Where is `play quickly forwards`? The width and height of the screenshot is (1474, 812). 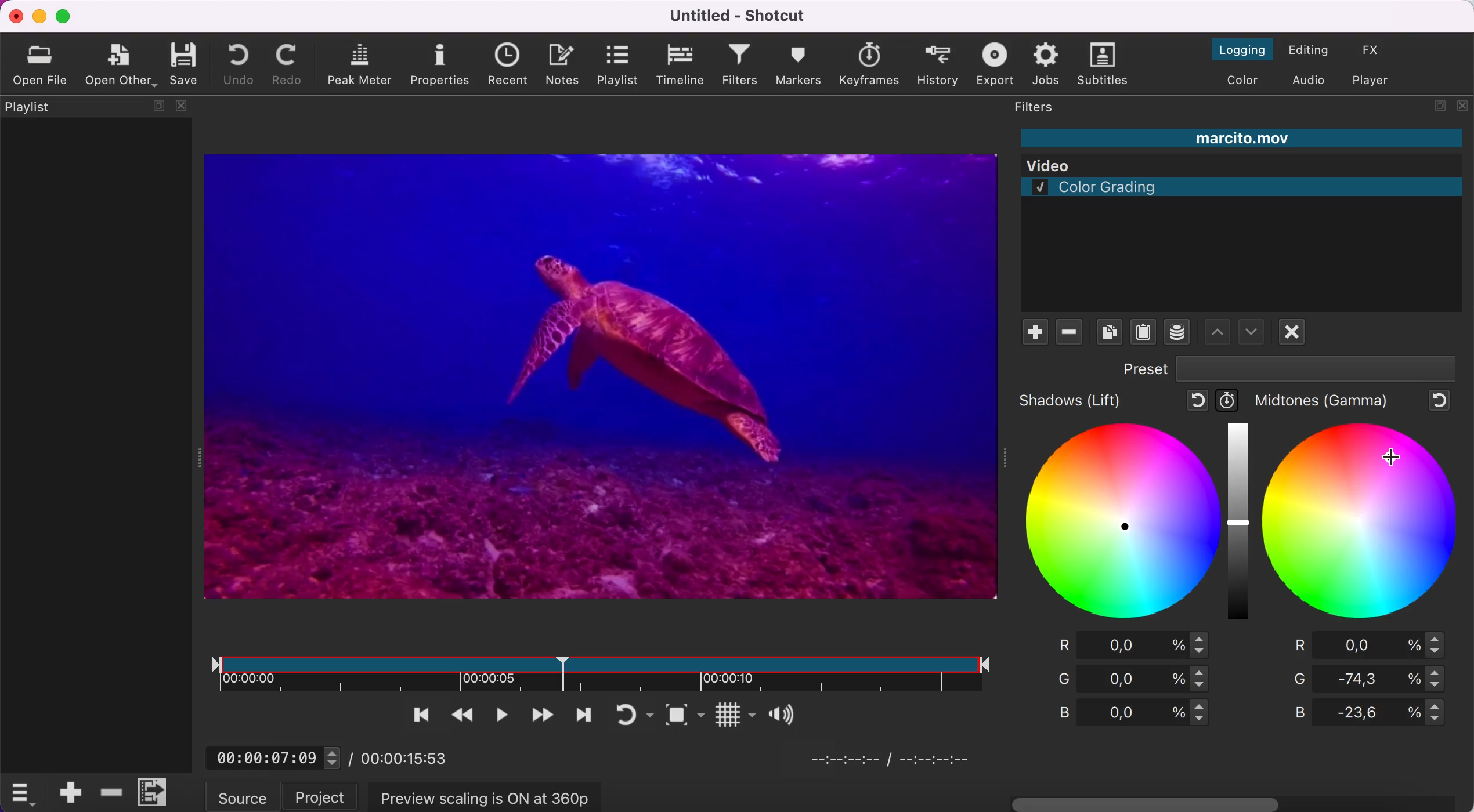 play quickly forwards is located at coordinates (541, 713).